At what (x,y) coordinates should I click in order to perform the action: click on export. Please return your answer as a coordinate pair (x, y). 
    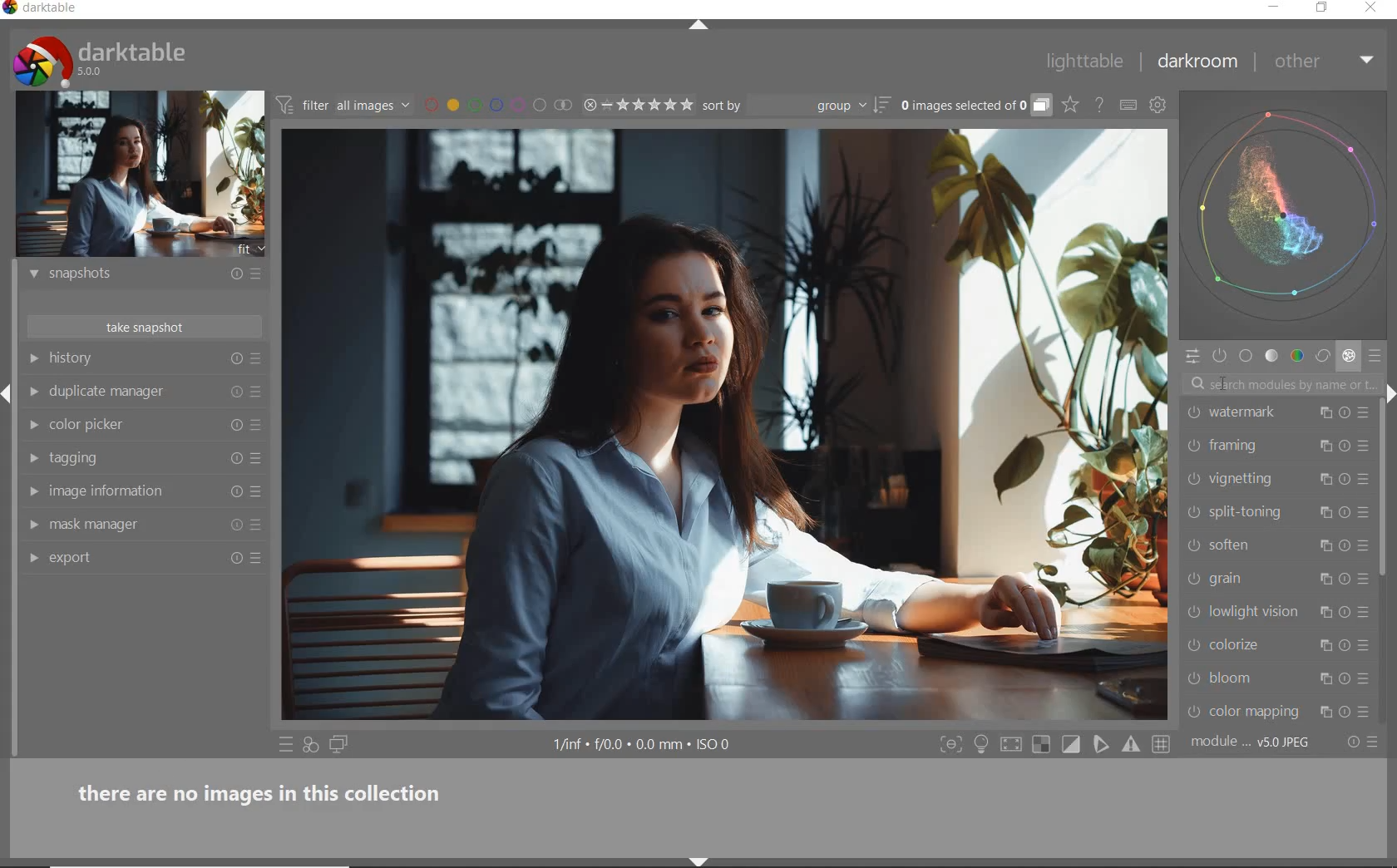
    Looking at the image, I should click on (119, 559).